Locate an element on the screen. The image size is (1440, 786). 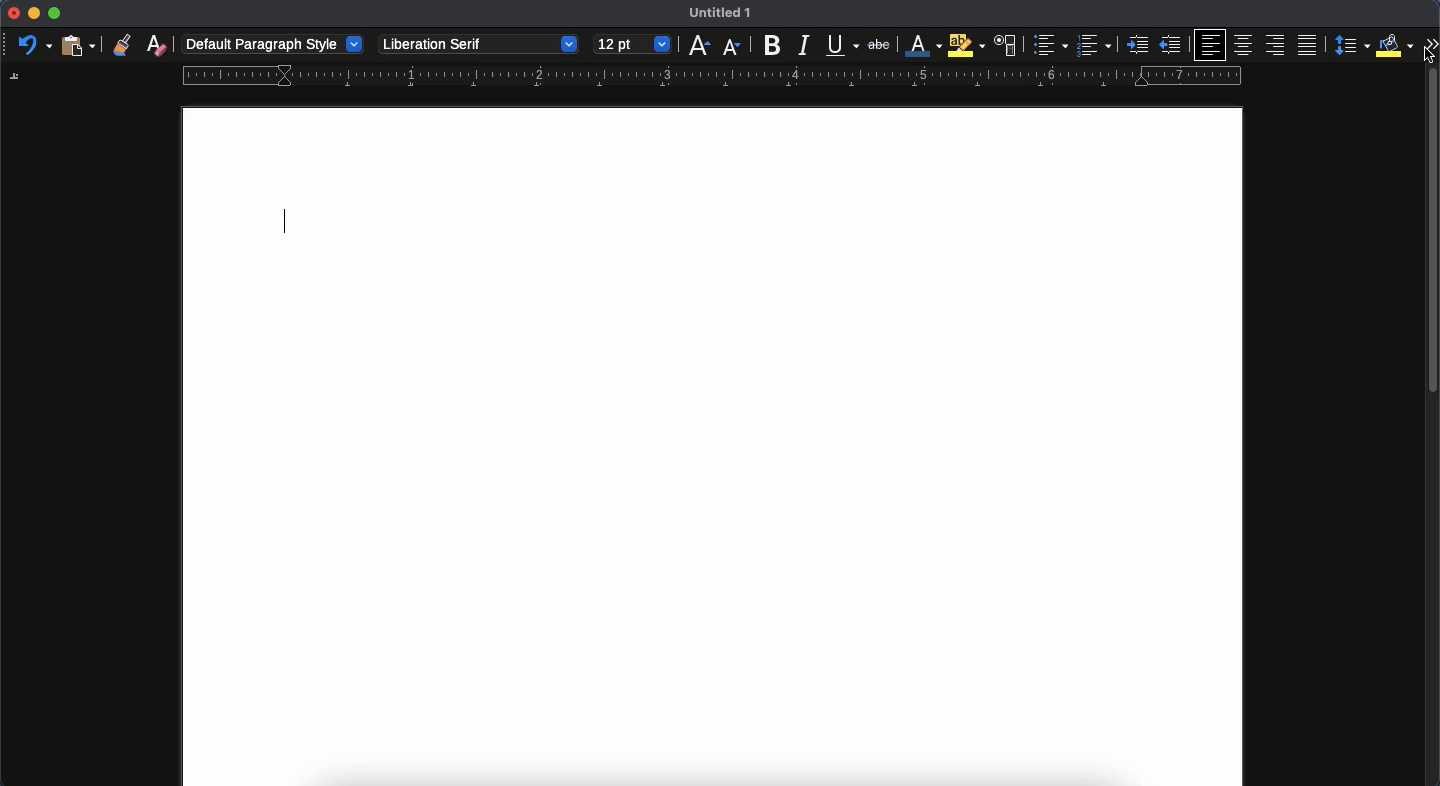
decrease size is located at coordinates (732, 48).